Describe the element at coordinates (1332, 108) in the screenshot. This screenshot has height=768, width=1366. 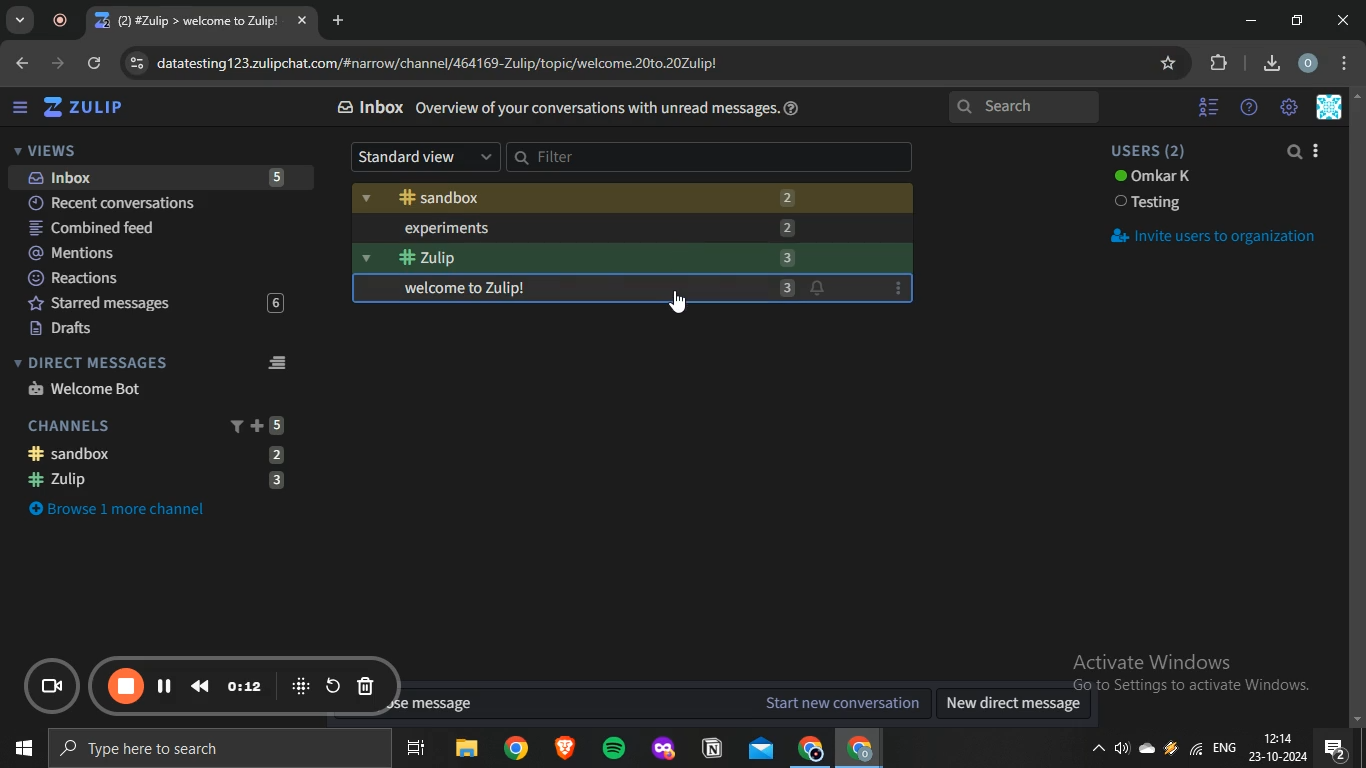
I see `personal menu` at that location.